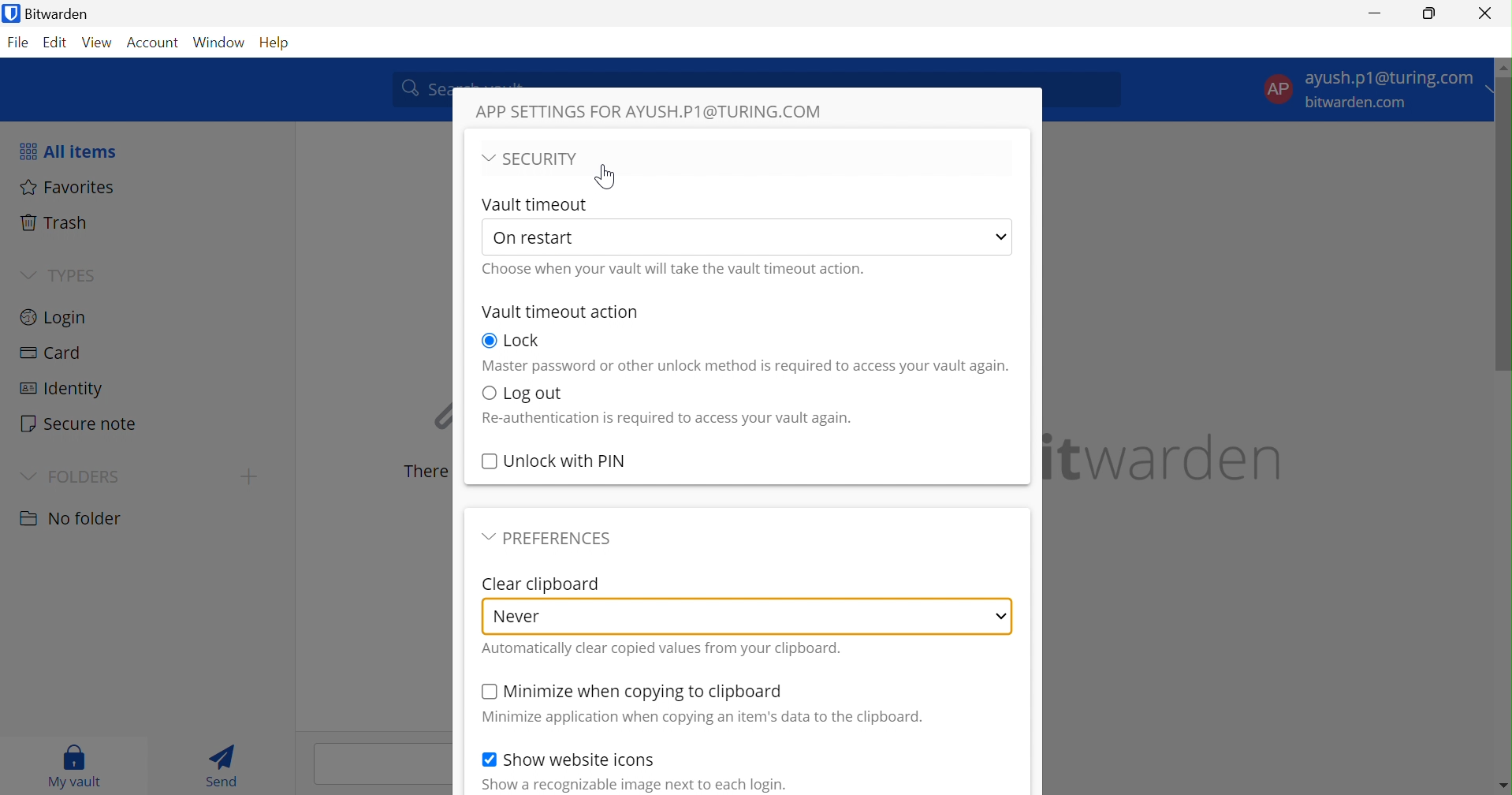 This screenshot has width=1512, height=795. What do you see at coordinates (635, 784) in the screenshot?
I see `Show a recognizable image next to each login.` at bounding box center [635, 784].